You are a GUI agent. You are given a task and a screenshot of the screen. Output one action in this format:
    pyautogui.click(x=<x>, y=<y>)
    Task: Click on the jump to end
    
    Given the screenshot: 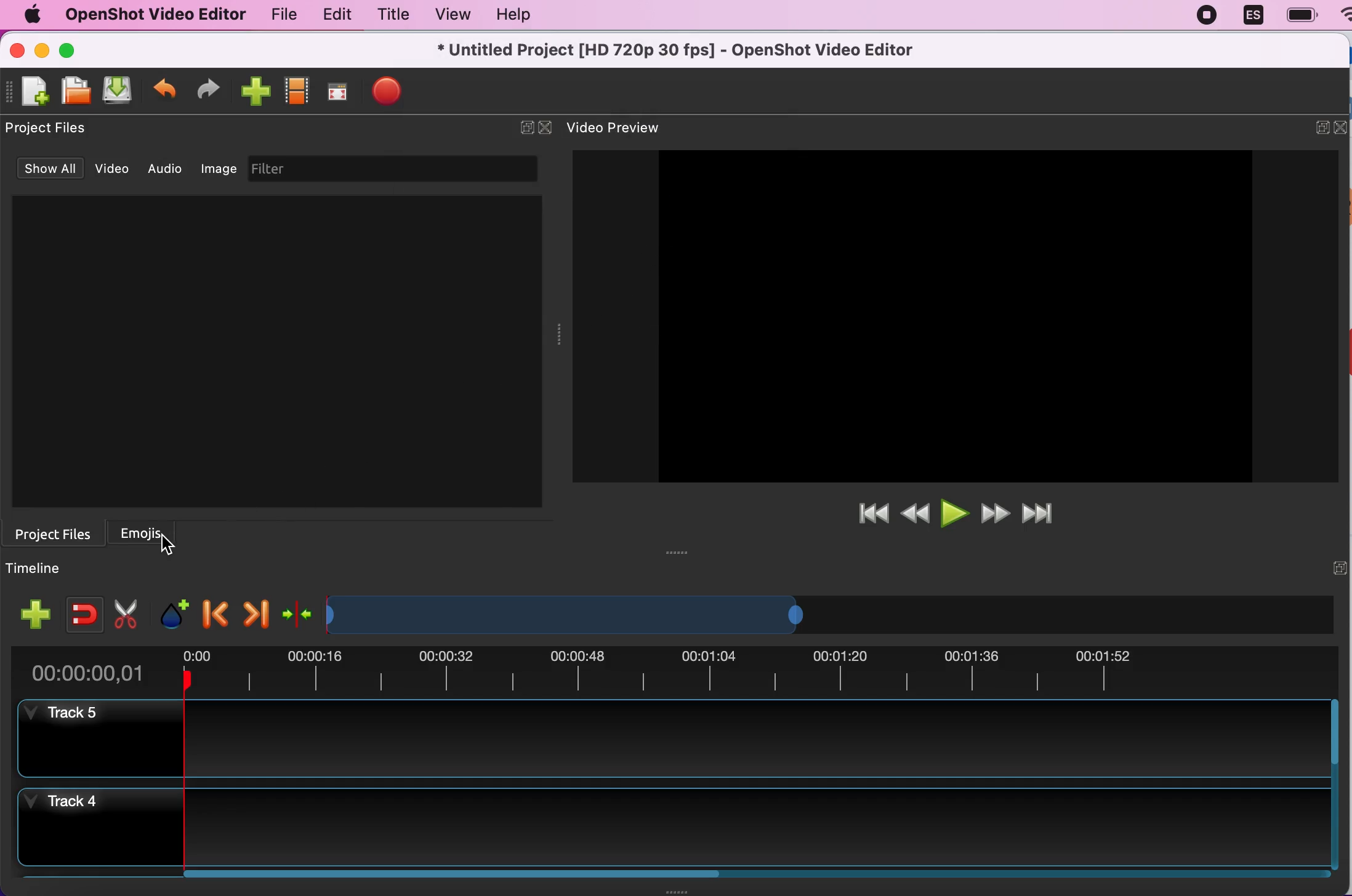 What is the action you would take?
    pyautogui.click(x=1048, y=509)
    